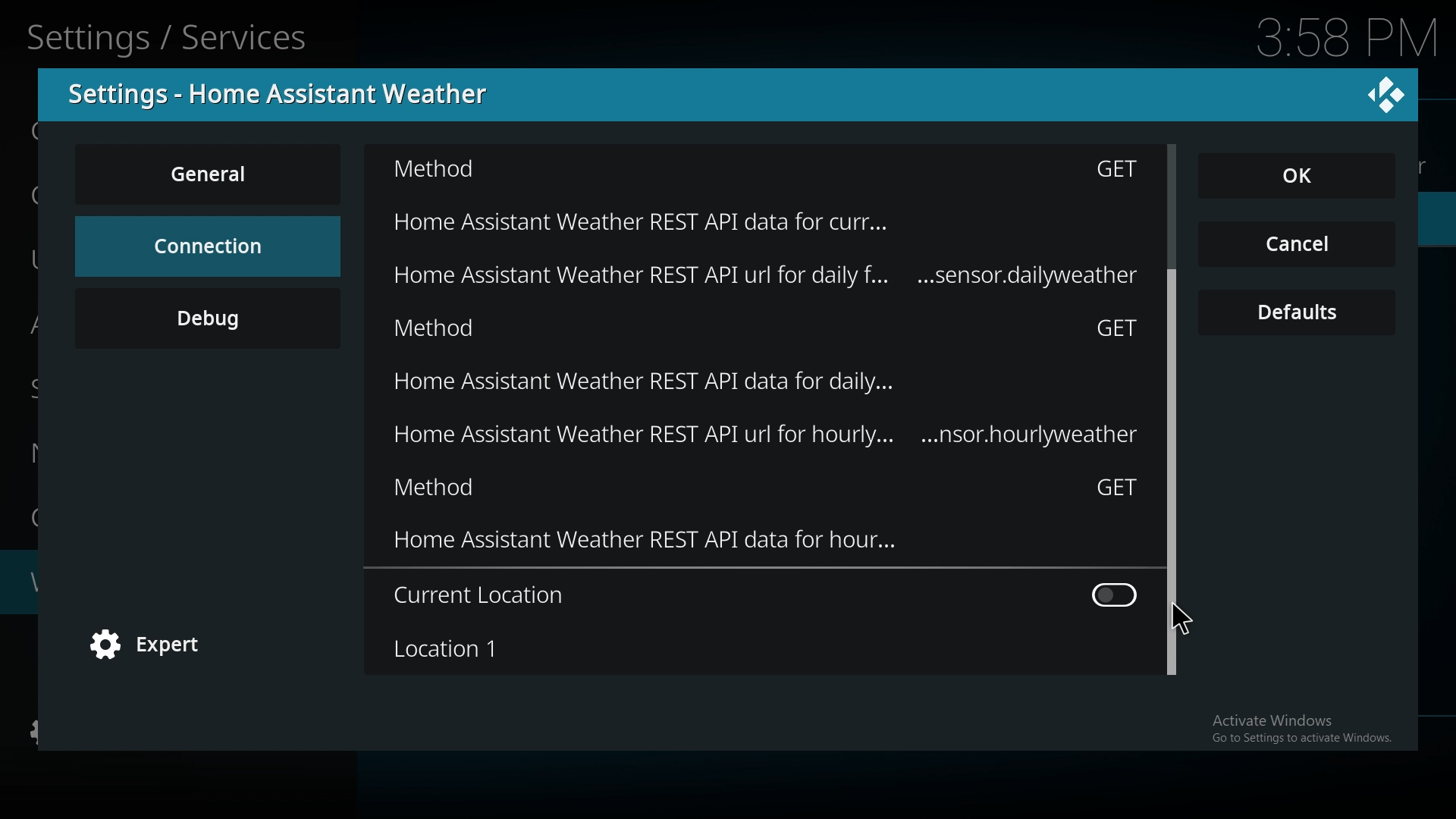 The width and height of the screenshot is (1456, 819). What do you see at coordinates (1298, 313) in the screenshot?
I see `defaults` at bounding box center [1298, 313].